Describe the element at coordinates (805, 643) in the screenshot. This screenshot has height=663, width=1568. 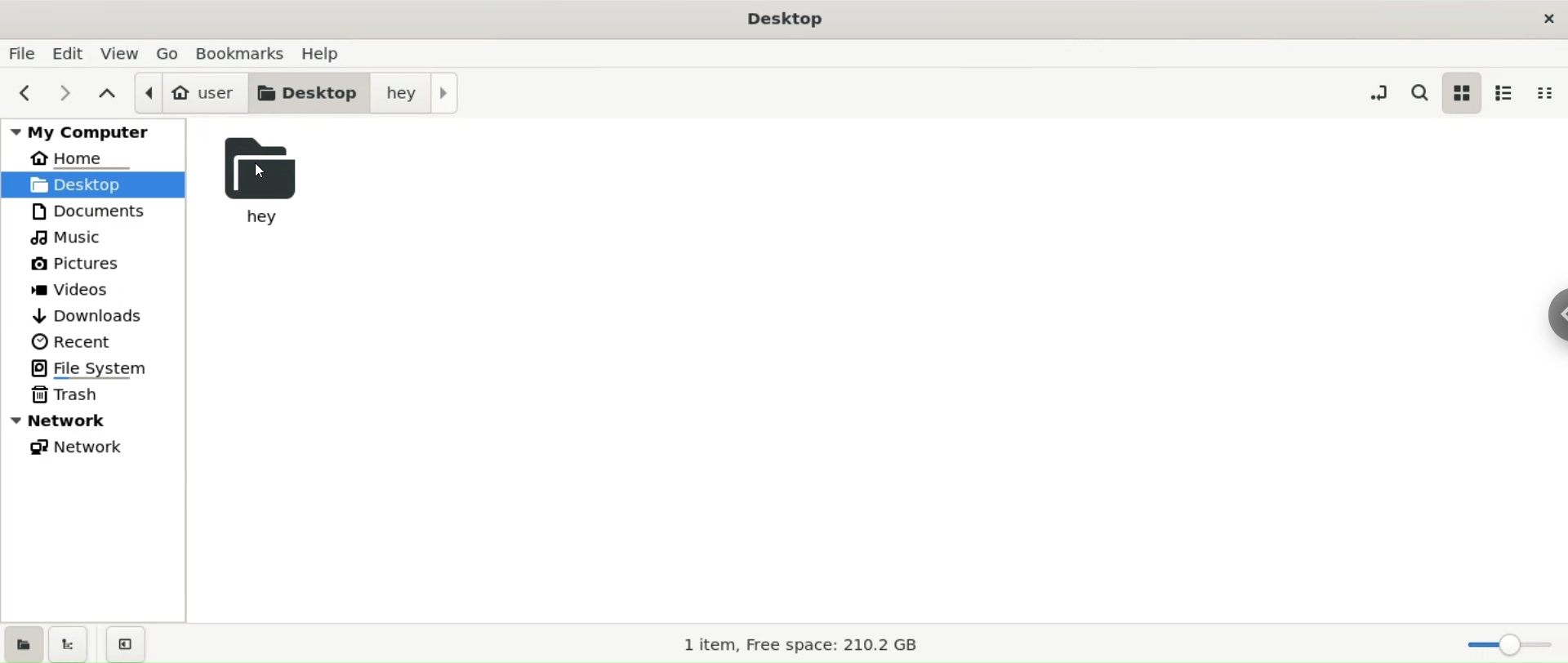
I see `1 item, Free space: 210.2 GB` at that location.